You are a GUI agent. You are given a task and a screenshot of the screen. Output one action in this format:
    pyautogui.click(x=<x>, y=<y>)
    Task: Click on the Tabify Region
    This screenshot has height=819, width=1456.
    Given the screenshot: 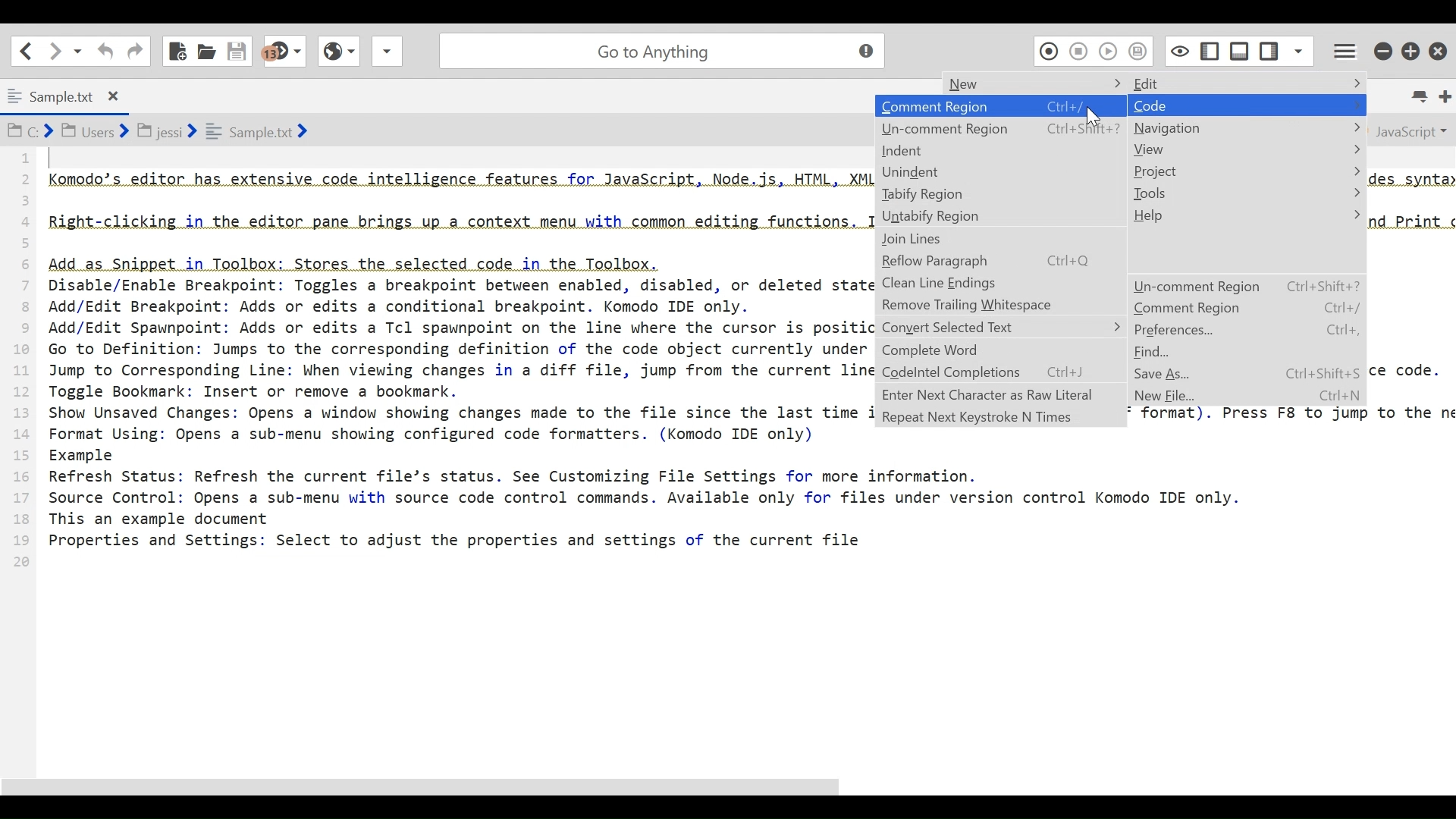 What is the action you would take?
    pyautogui.click(x=1000, y=194)
    